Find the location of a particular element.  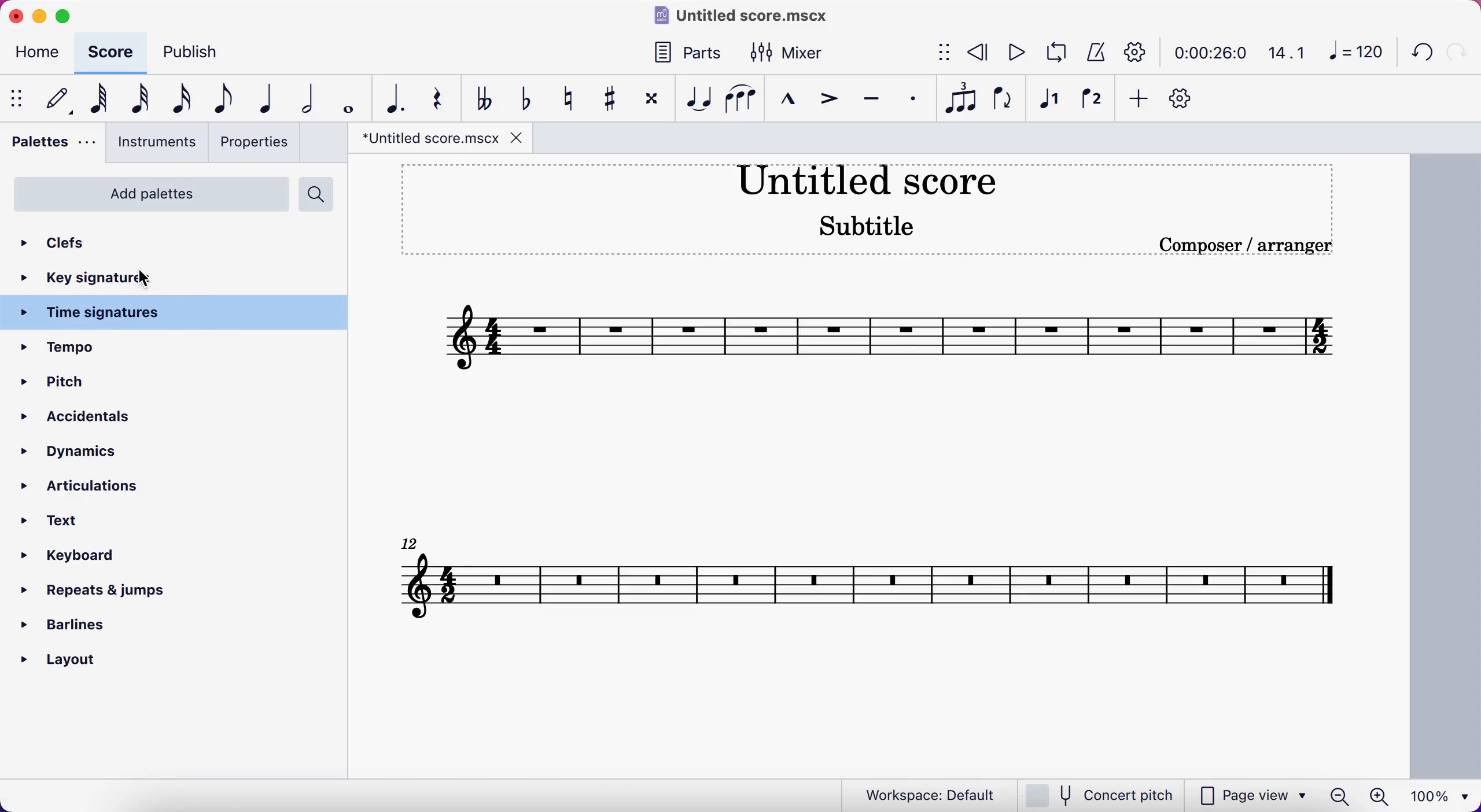

toggle double flat is located at coordinates (488, 97).